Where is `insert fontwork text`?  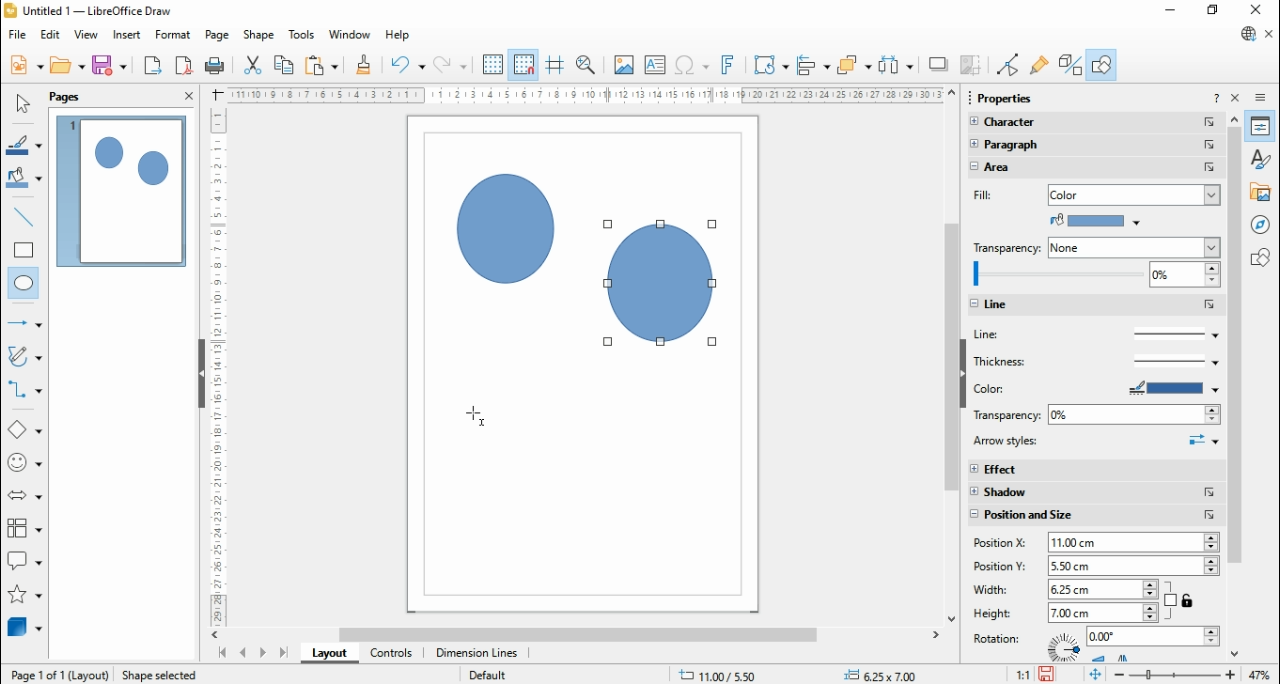 insert fontwork text is located at coordinates (728, 64).